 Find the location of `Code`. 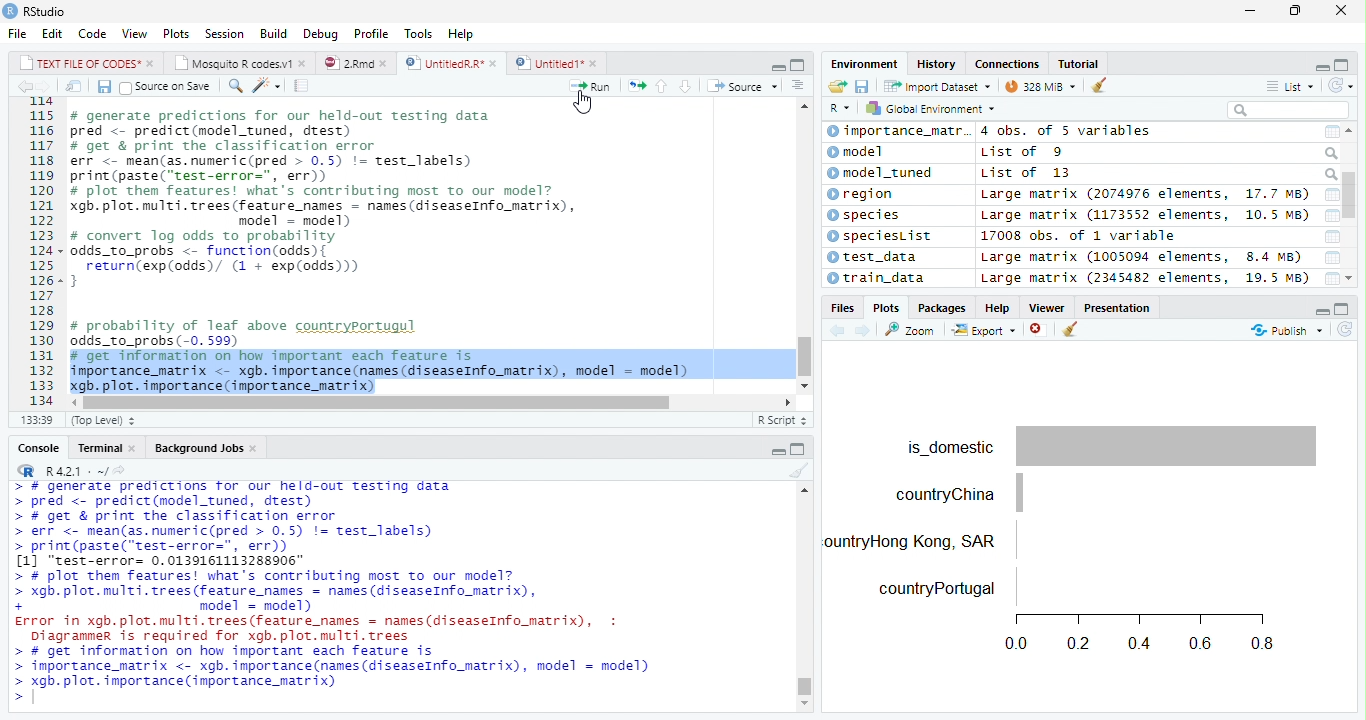

Code is located at coordinates (90, 34).